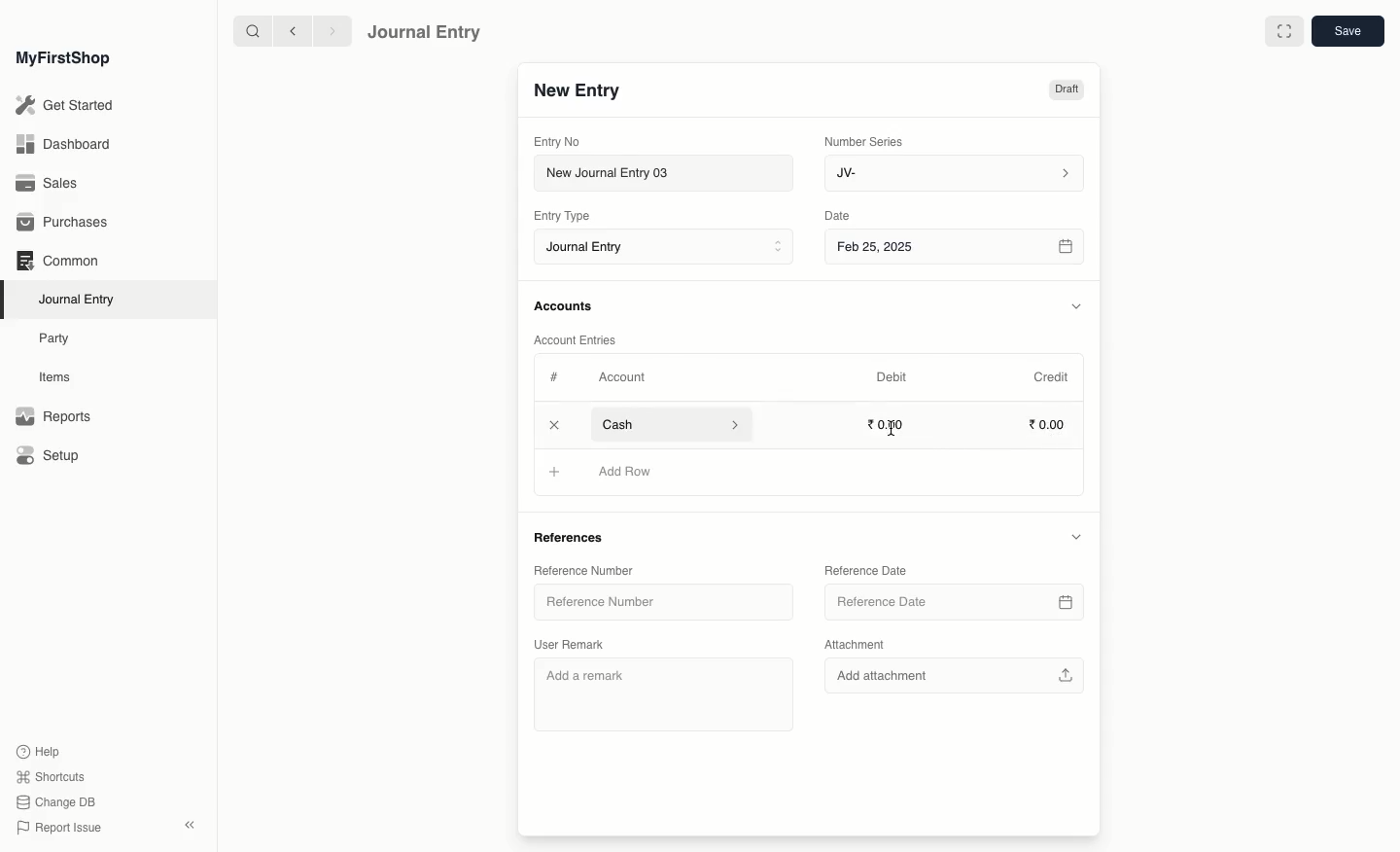  What do you see at coordinates (573, 536) in the screenshot?
I see `References` at bounding box center [573, 536].